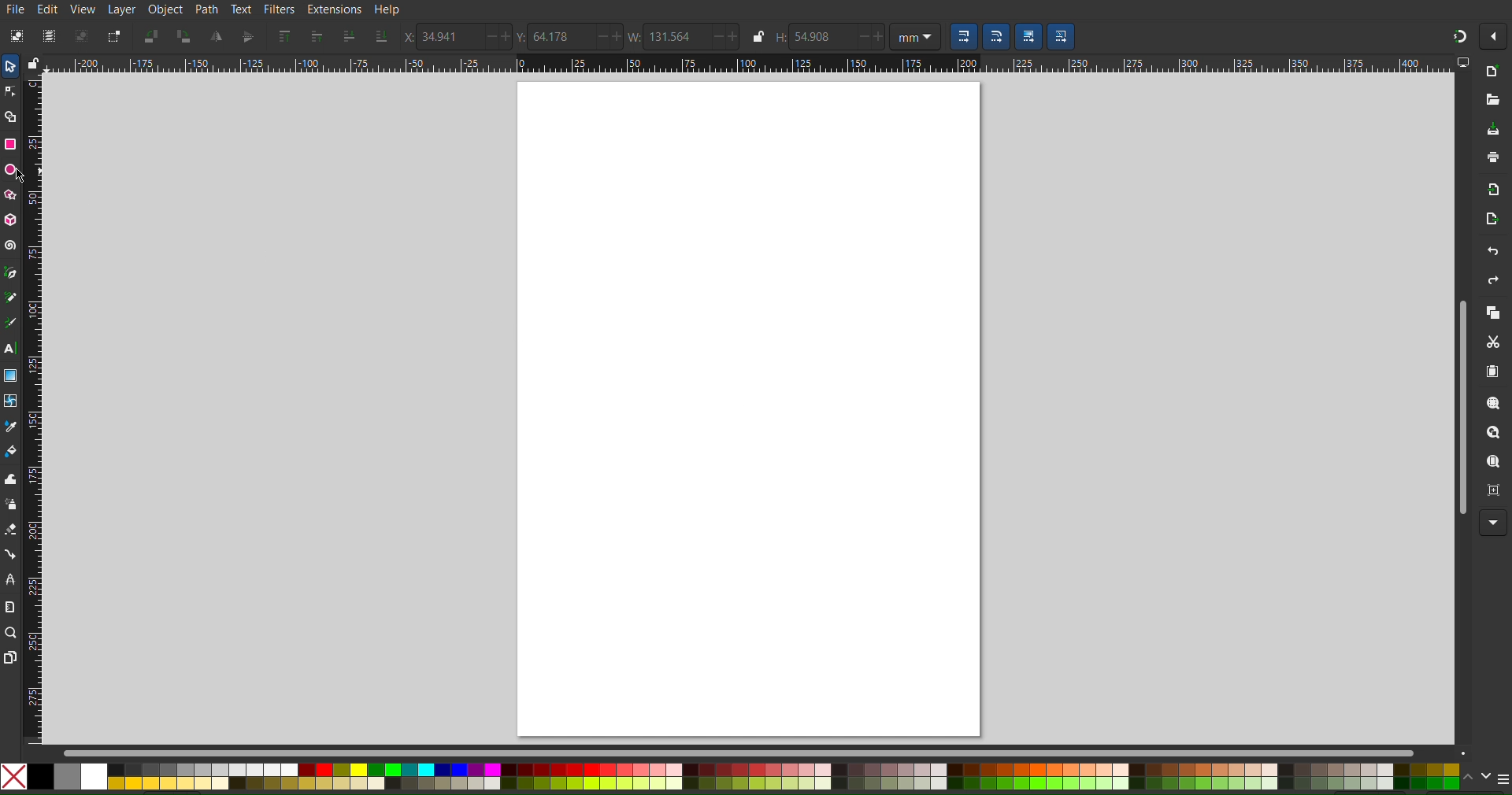  I want to click on Rotate CCW, so click(151, 36).